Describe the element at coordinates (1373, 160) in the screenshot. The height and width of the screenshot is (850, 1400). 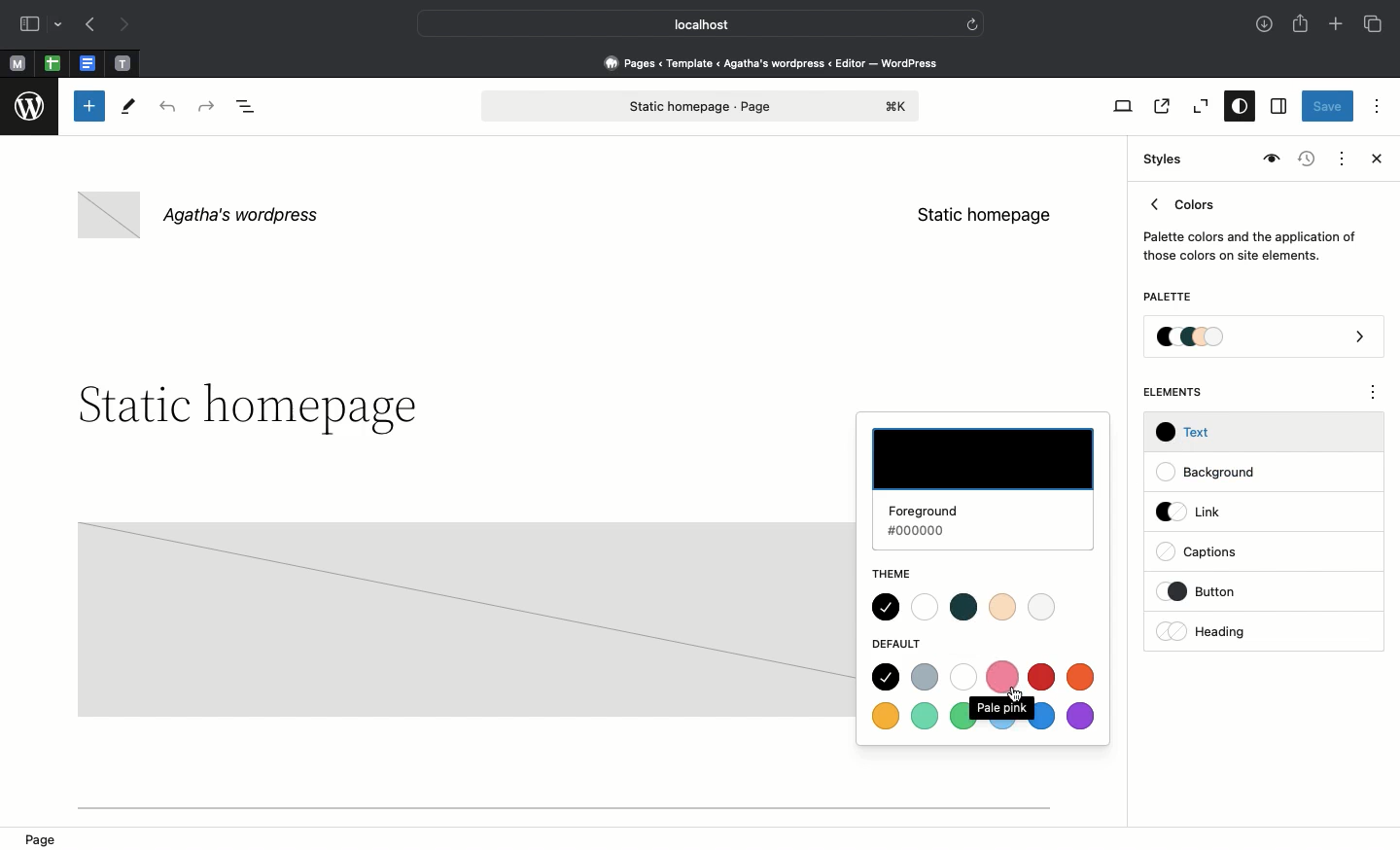
I see `Close` at that location.